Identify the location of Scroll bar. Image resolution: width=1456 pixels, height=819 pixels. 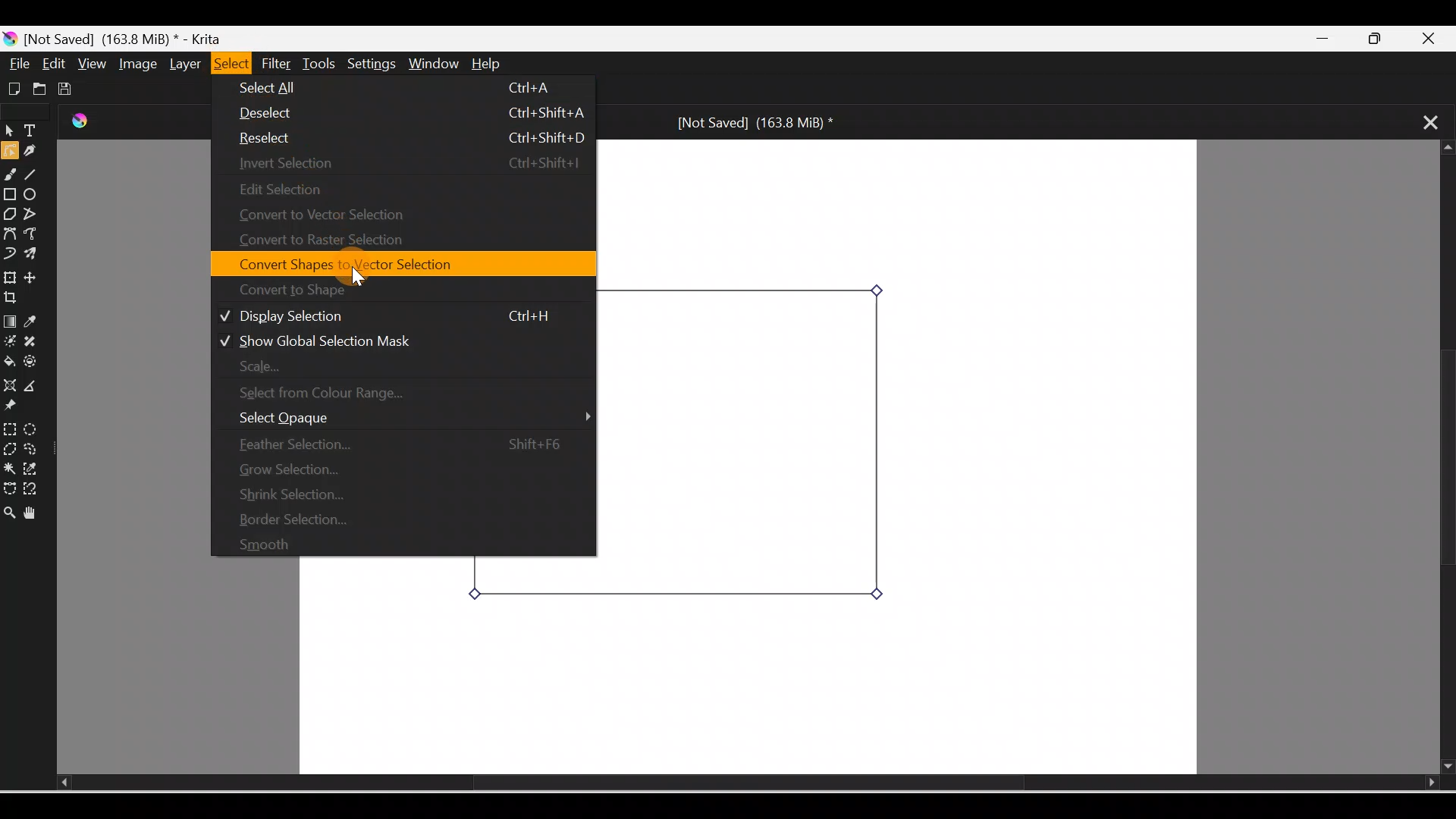
(1442, 458).